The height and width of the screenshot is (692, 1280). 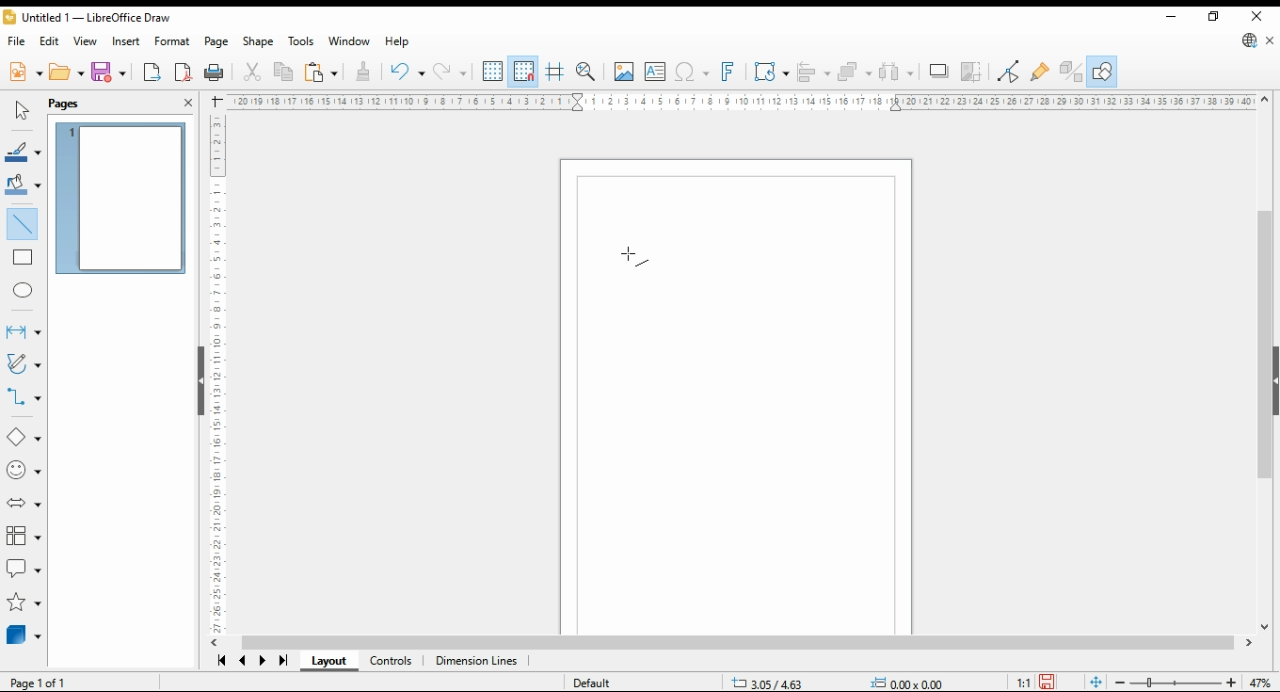 I want to click on 3D objects, so click(x=24, y=636).